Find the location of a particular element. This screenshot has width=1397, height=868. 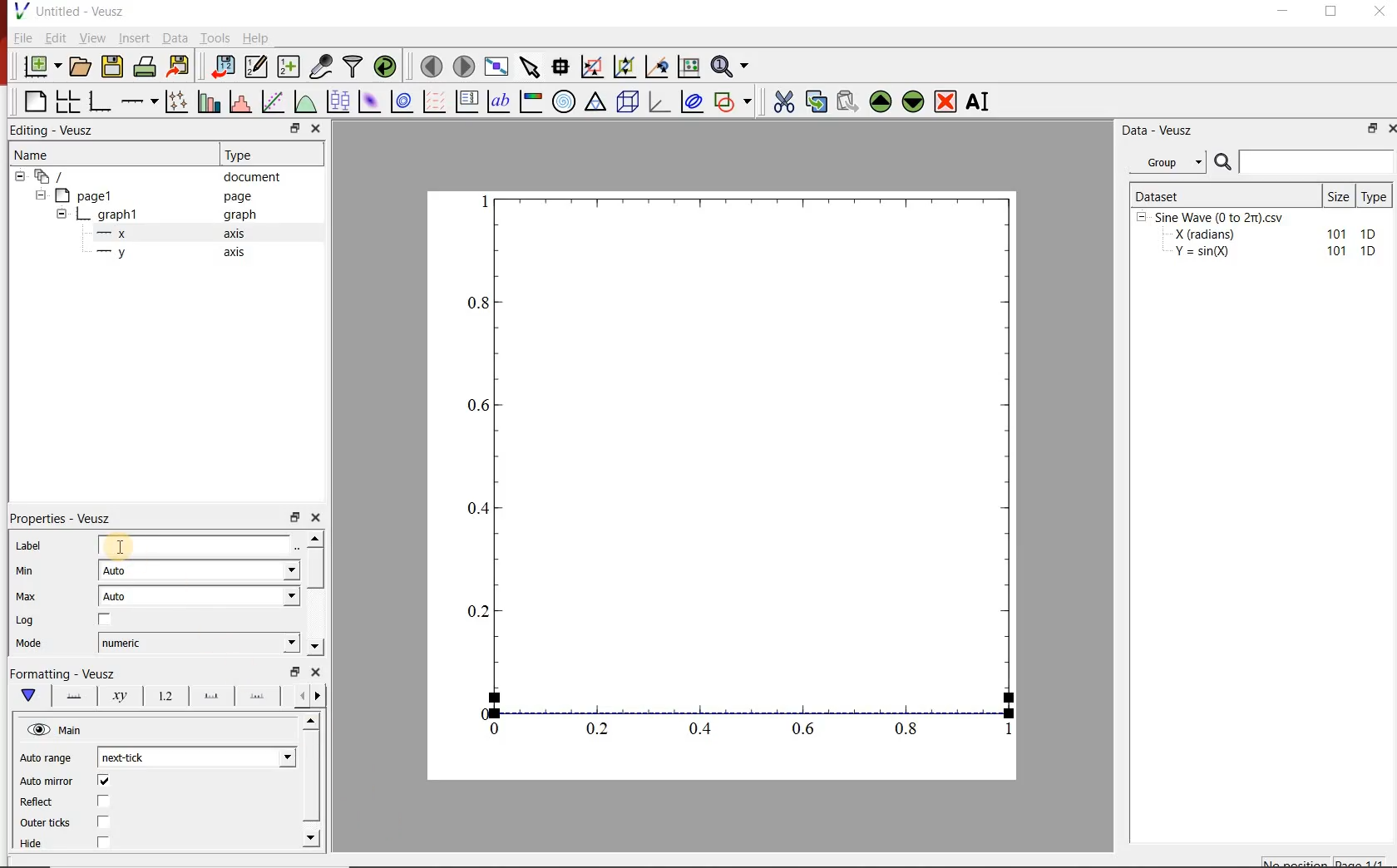

Type is located at coordinates (243, 153).